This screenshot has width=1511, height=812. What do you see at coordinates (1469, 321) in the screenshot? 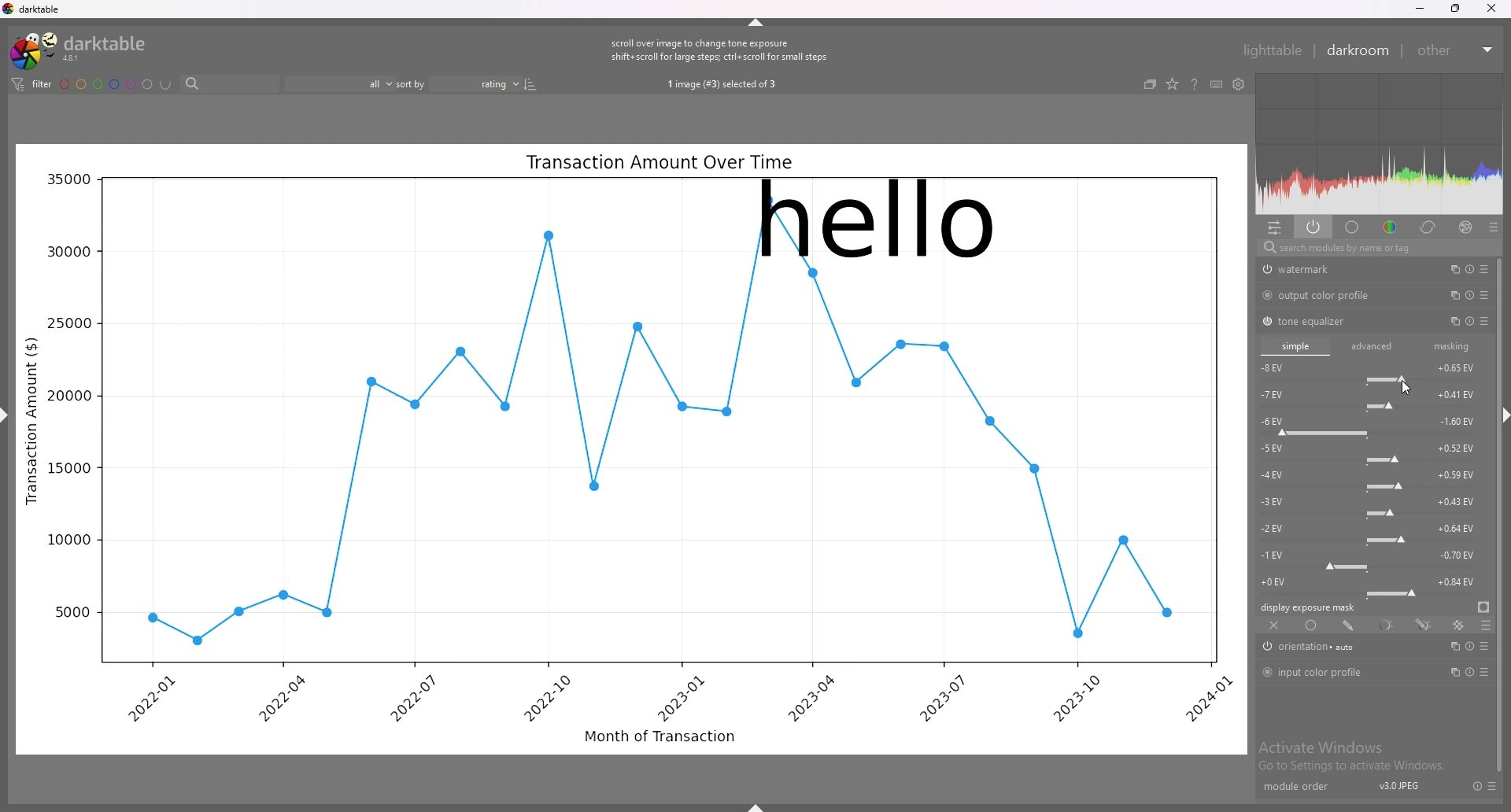
I see `multiple instance actions, reset and presets` at bounding box center [1469, 321].